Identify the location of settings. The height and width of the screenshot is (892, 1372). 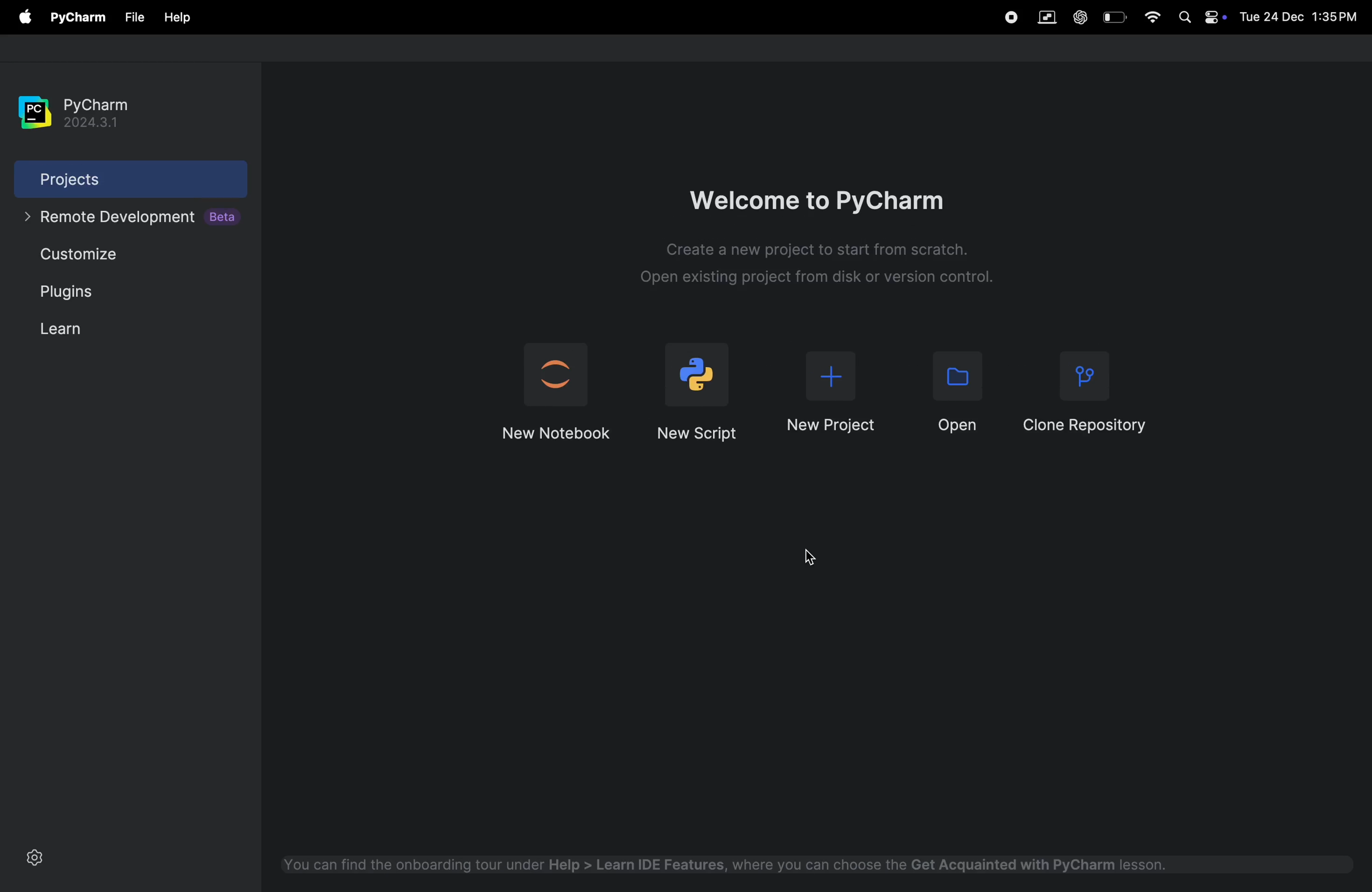
(35, 861).